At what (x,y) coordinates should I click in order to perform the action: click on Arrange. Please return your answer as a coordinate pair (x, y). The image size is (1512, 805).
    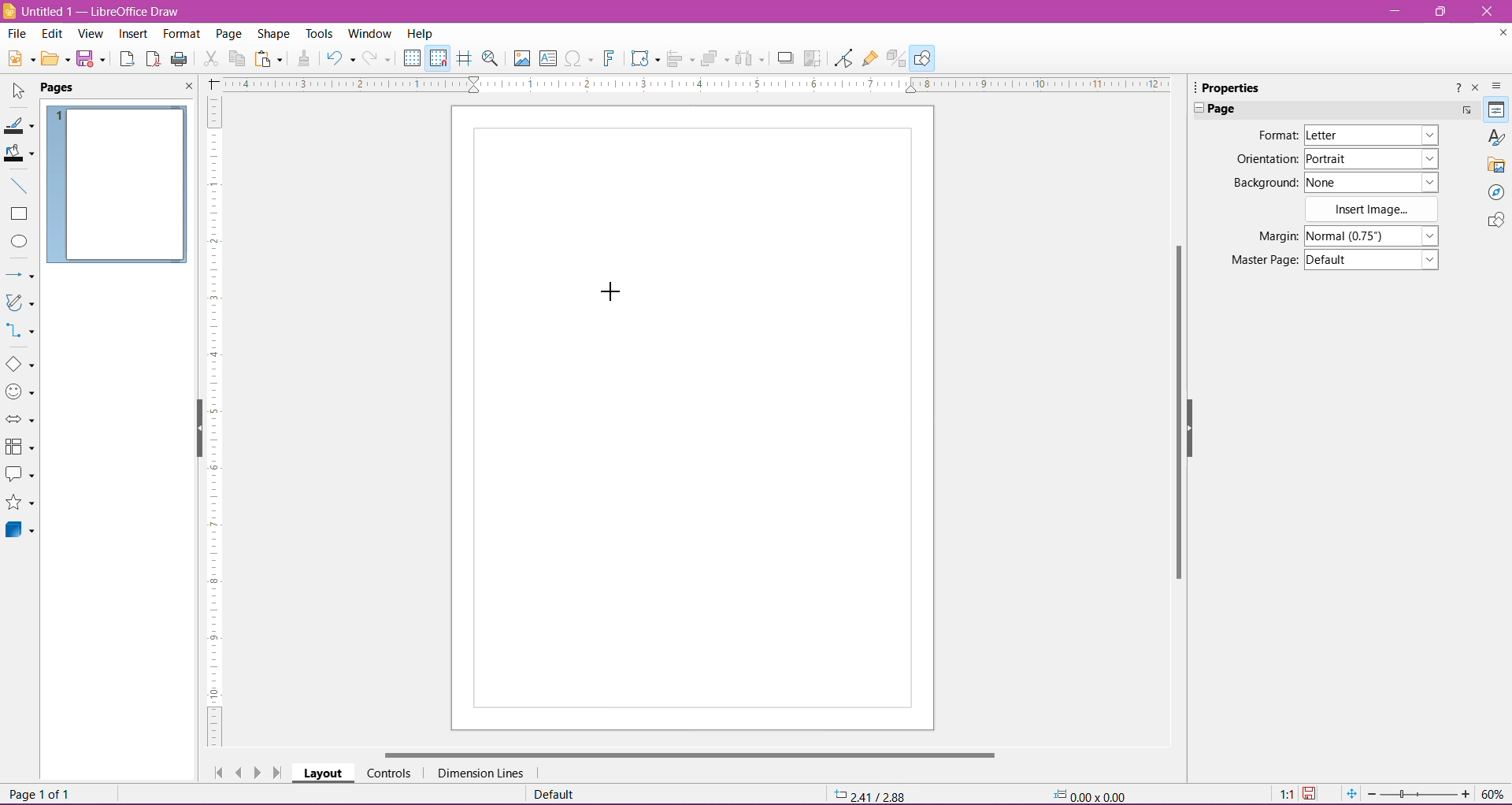
    Looking at the image, I should click on (714, 58).